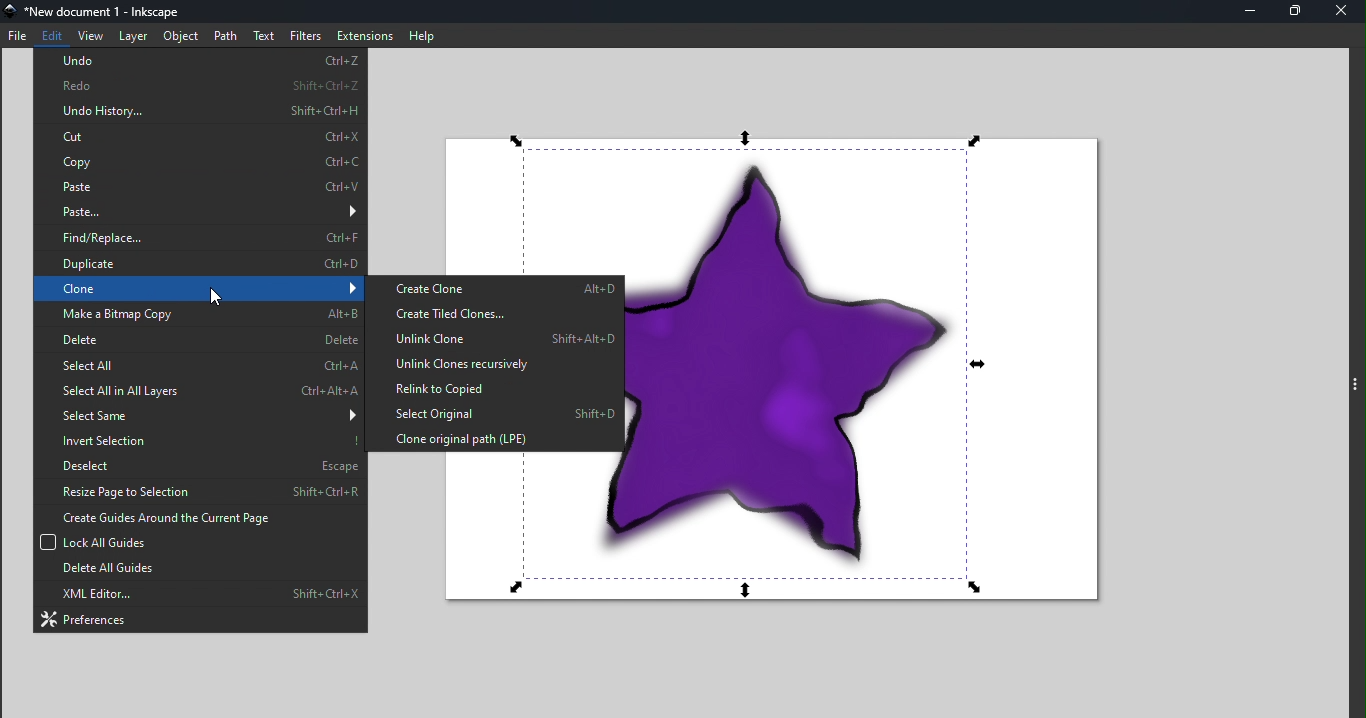 This screenshot has height=718, width=1366. What do you see at coordinates (492, 413) in the screenshot?
I see `Select original` at bounding box center [492, 413].